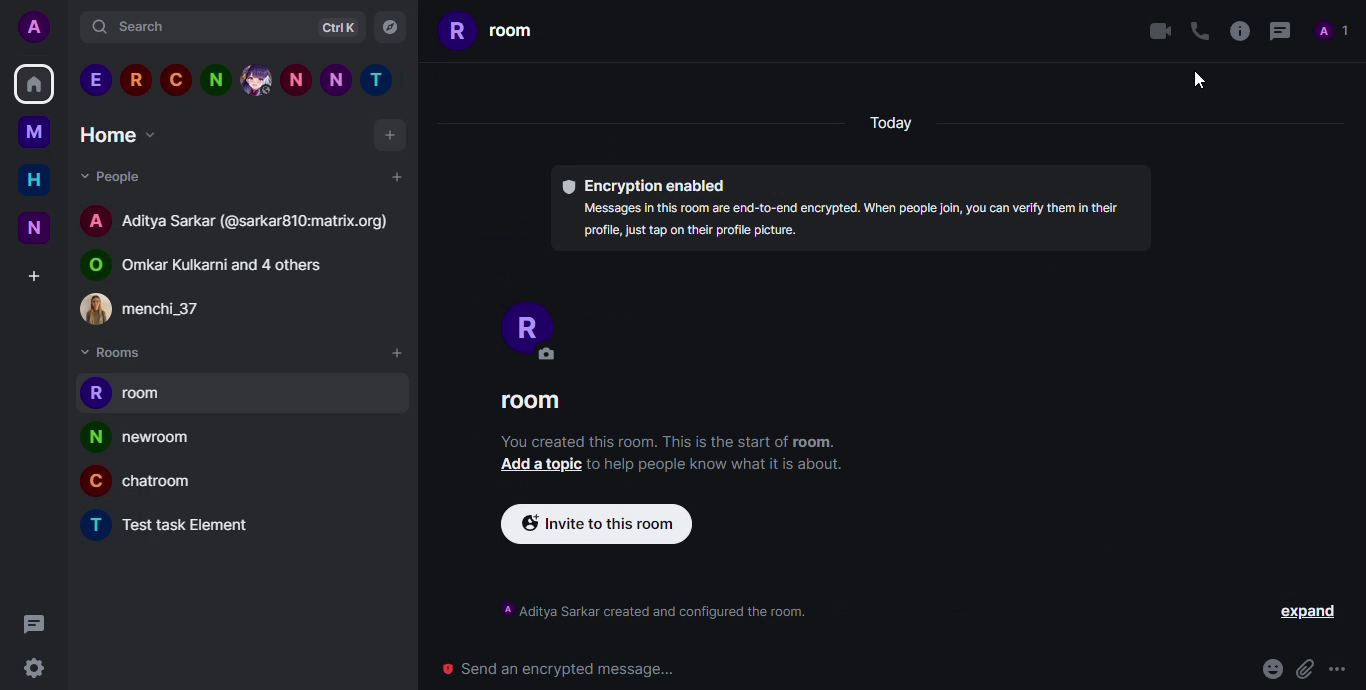  What do you see at coordinates (395, 176) in the screenshot?
I see `start chat` at bounding box center [395, 176].